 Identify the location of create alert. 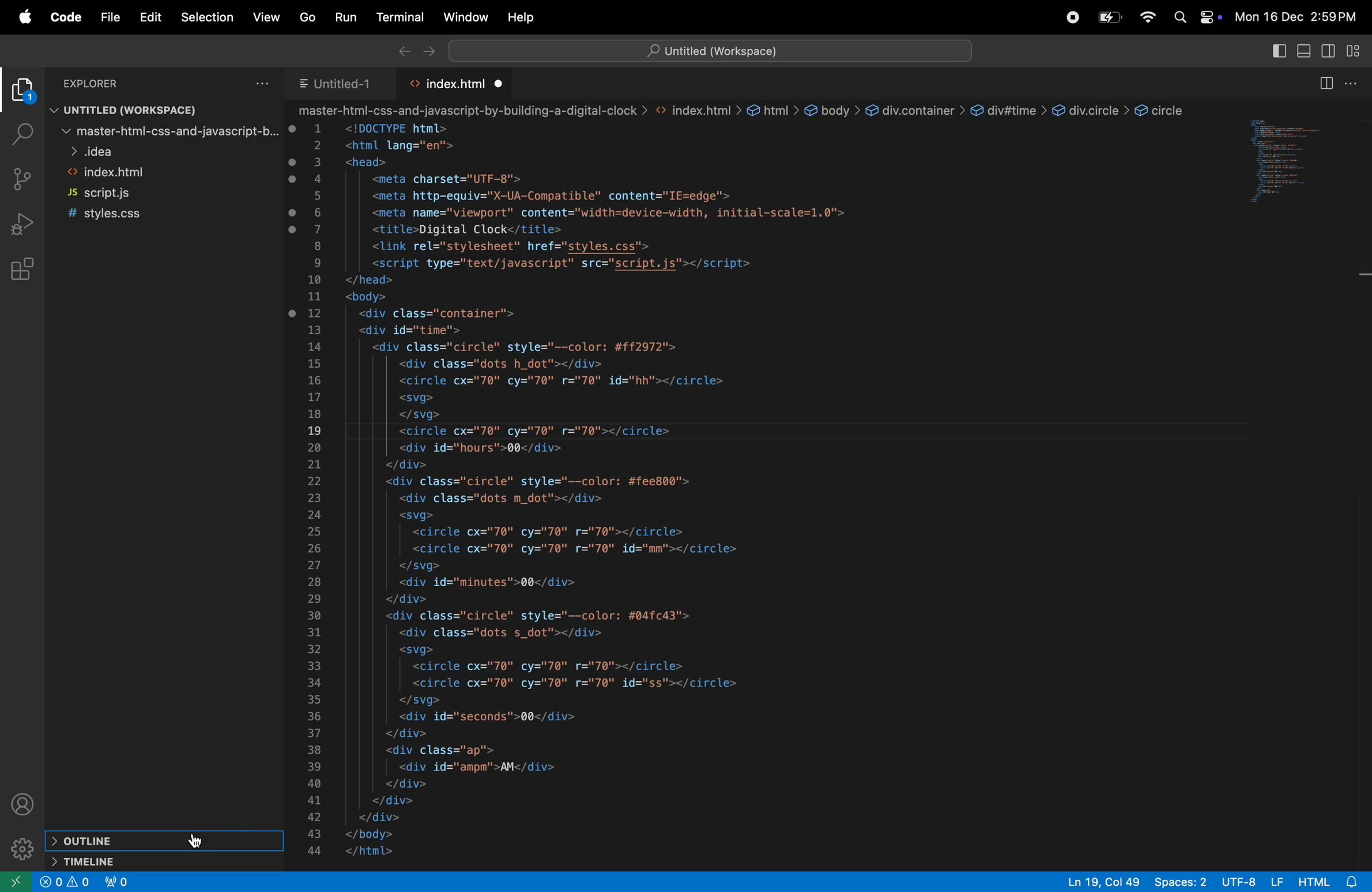
(50, 882).